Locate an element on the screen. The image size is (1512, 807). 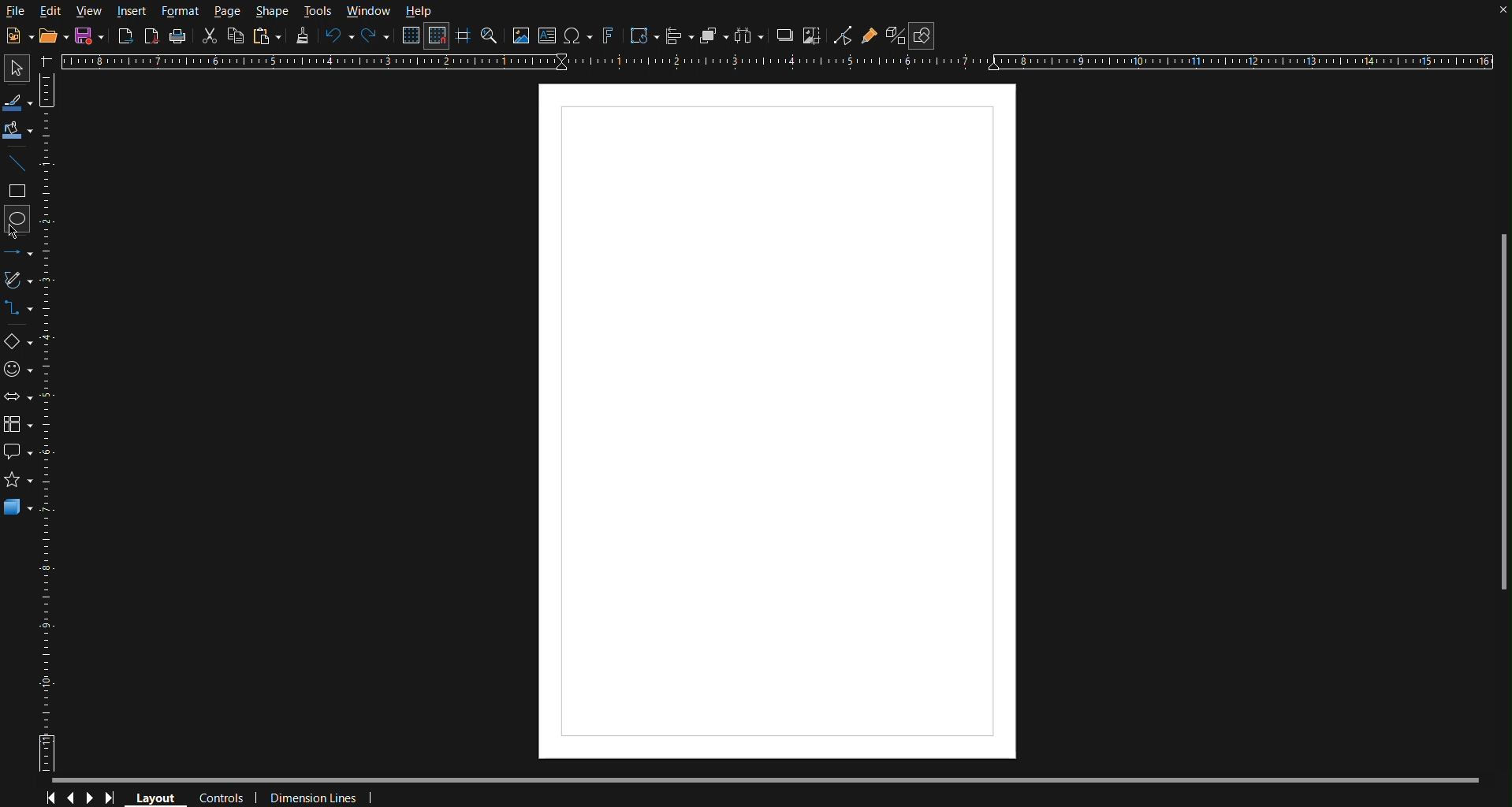
Guidelines while moving is located at coordinates (464, 39).